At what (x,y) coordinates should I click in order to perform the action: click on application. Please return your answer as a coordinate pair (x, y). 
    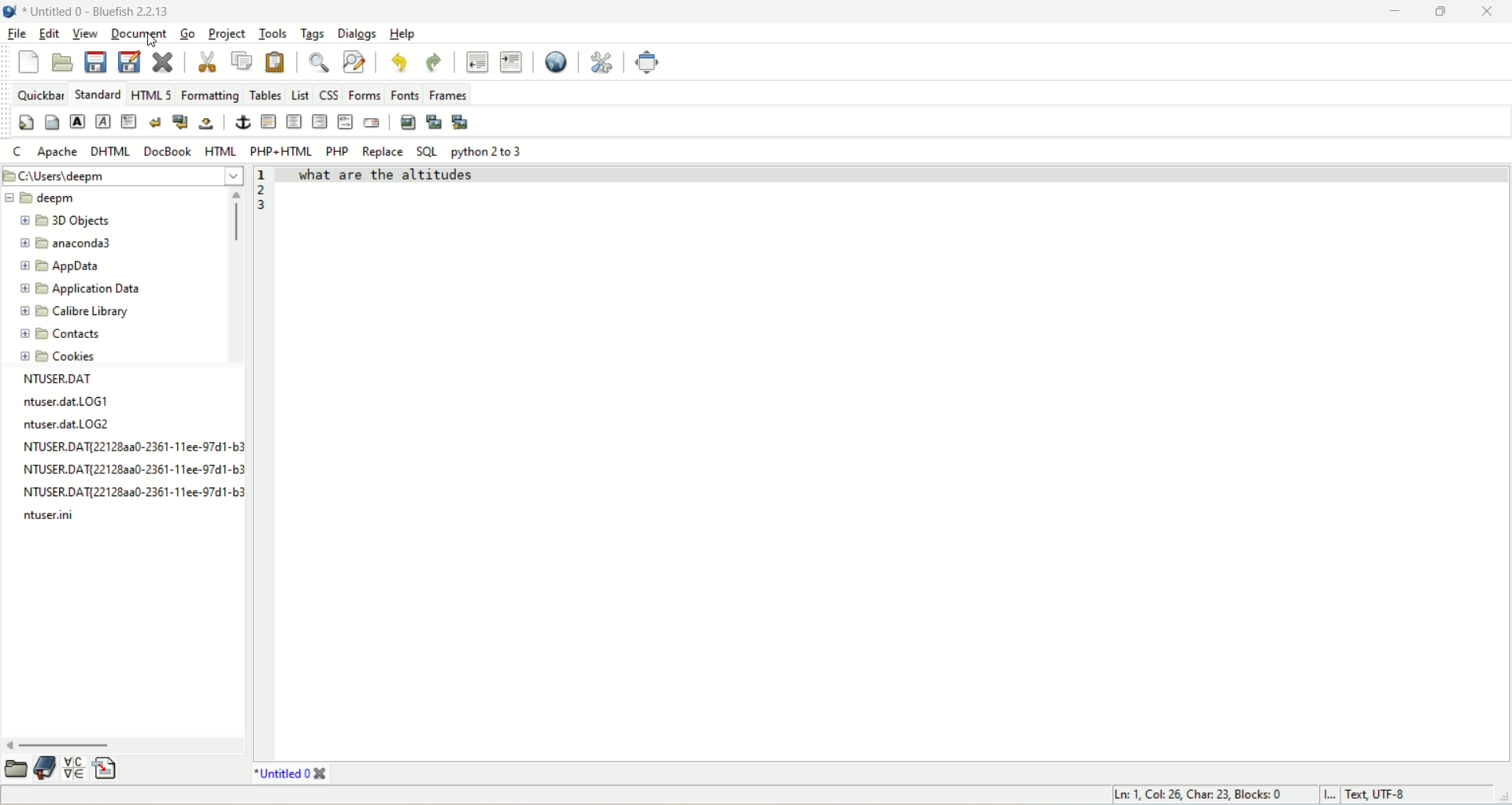
    Looking at the image, I should click on (82, 291).